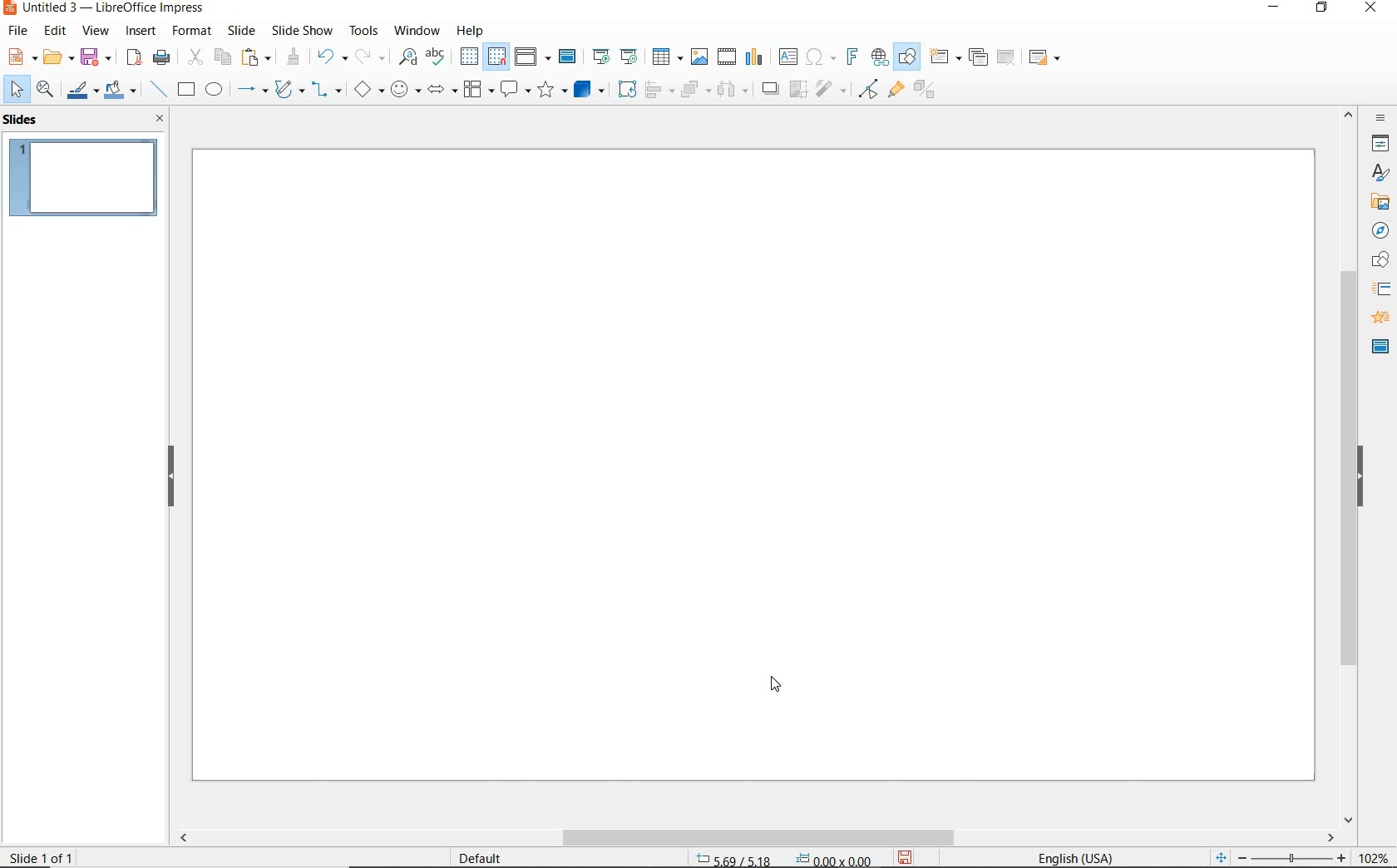 This screenshot has height=868, width=1397. Describe the element at coordinates (906, 856) in the screenshot. I see `SAVE` at that location.